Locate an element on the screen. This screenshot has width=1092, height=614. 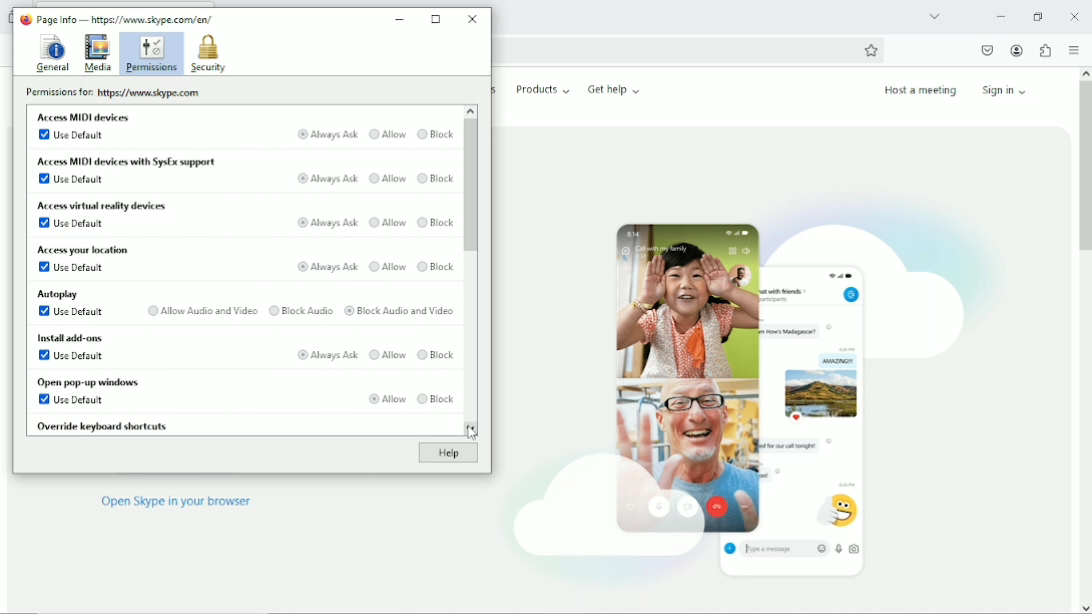
Block is located at coordinates (435, 221).